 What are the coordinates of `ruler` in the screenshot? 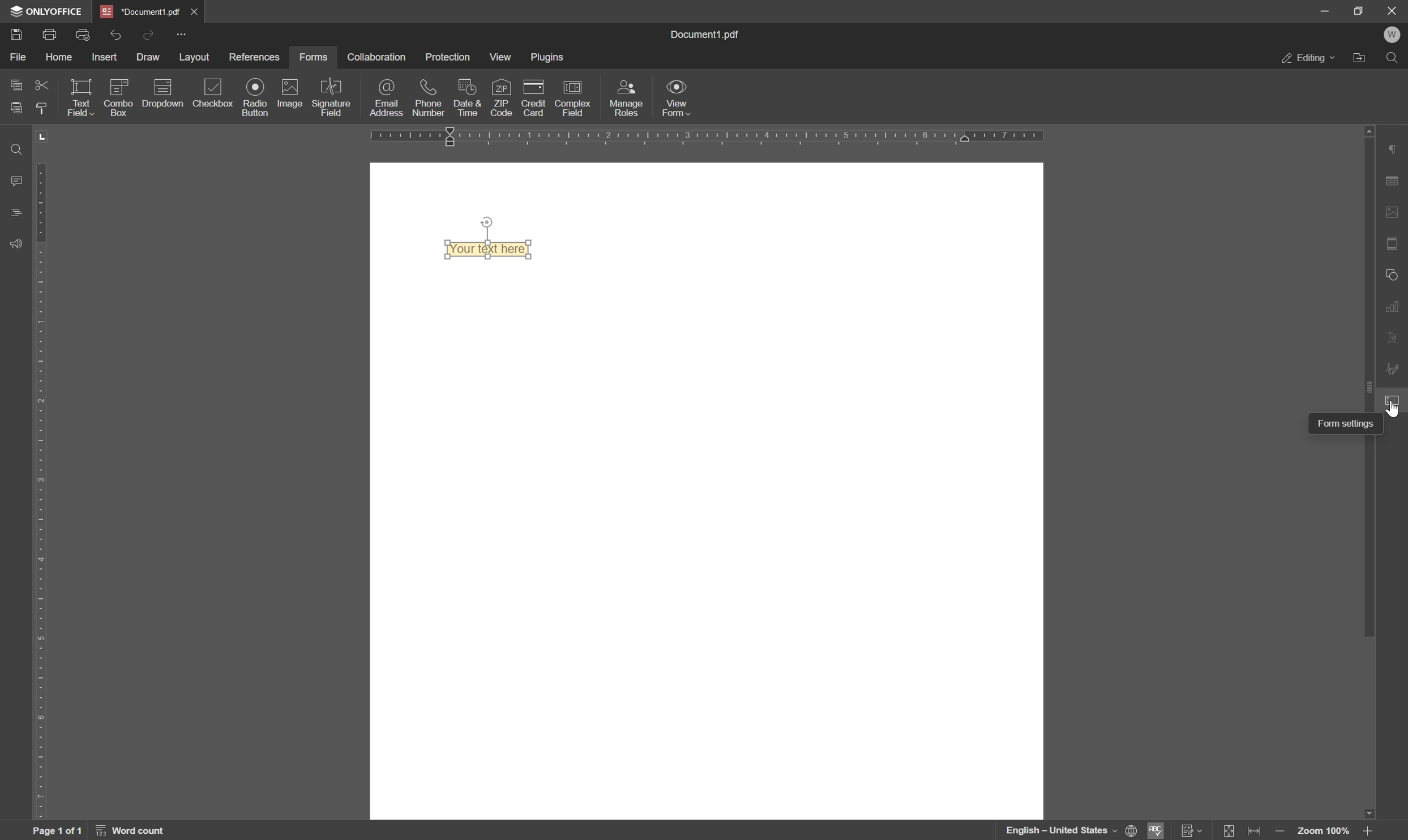 It's located at (711, 137).